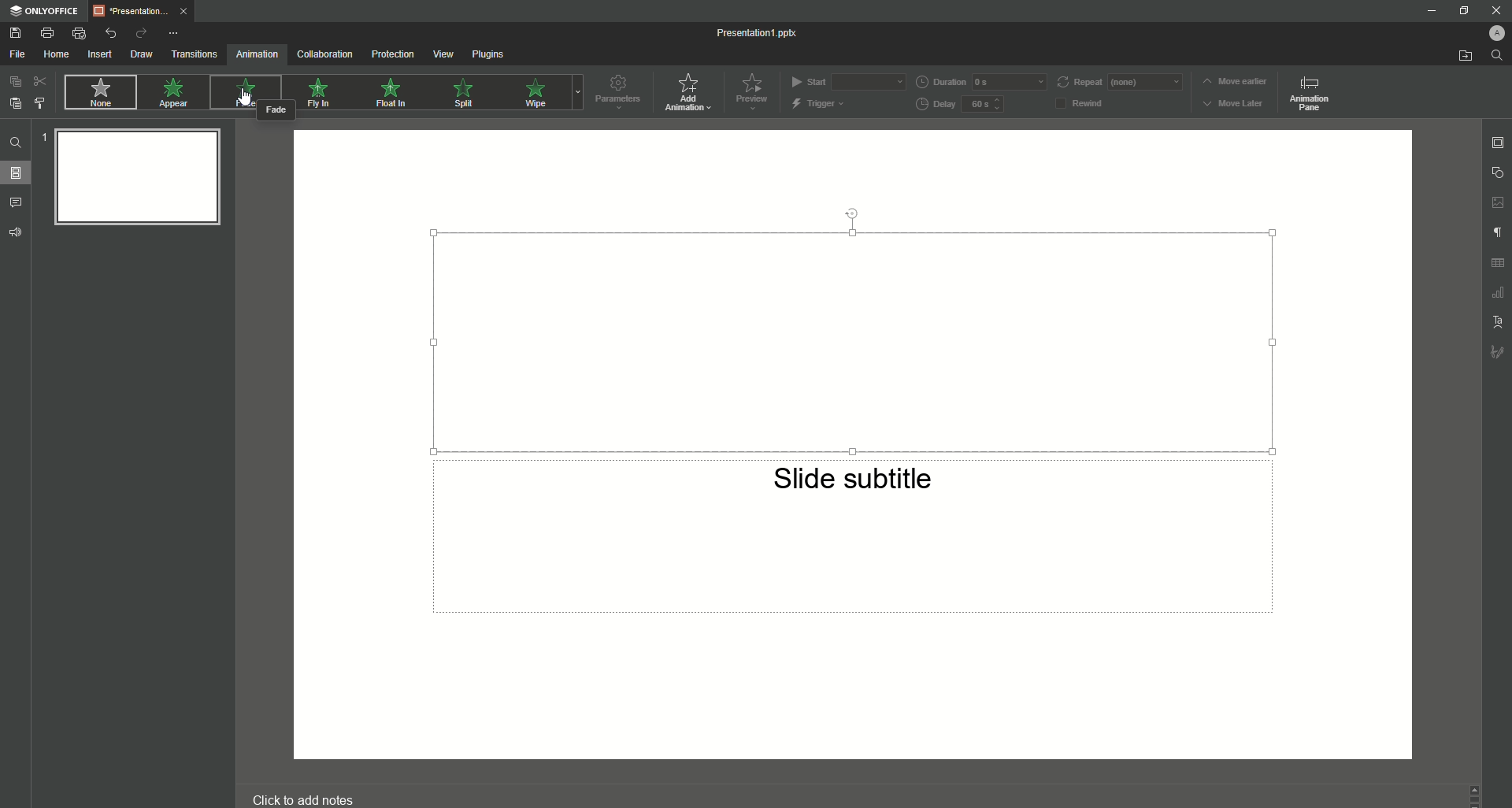  What do you see at coordinates (1498, 141) in the screenshot?
I see `Slide Settings` at bounding box center [1498, 141].